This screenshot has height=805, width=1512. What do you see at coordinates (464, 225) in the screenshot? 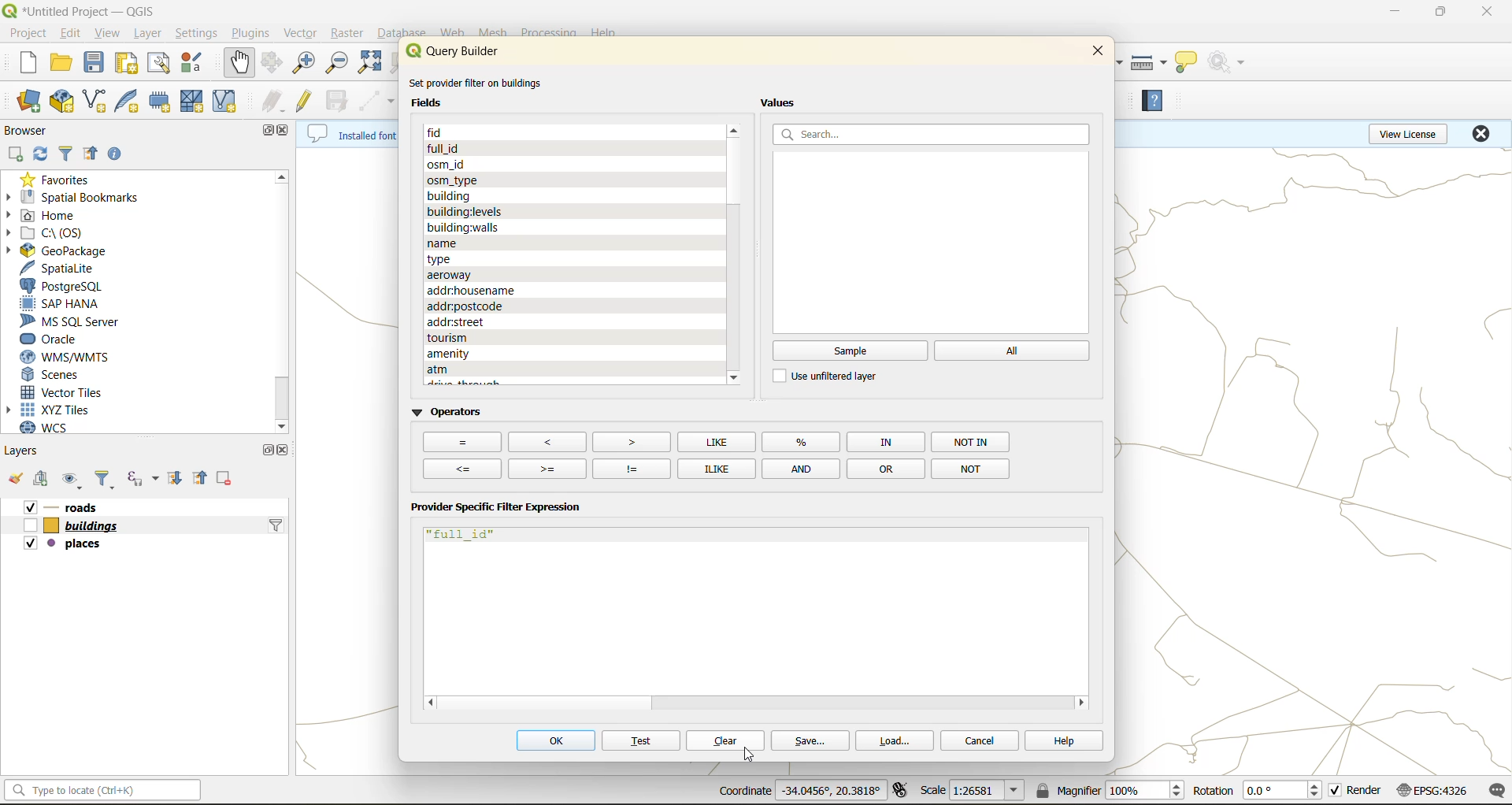
I see `fields` at bounding box center [464, 225].